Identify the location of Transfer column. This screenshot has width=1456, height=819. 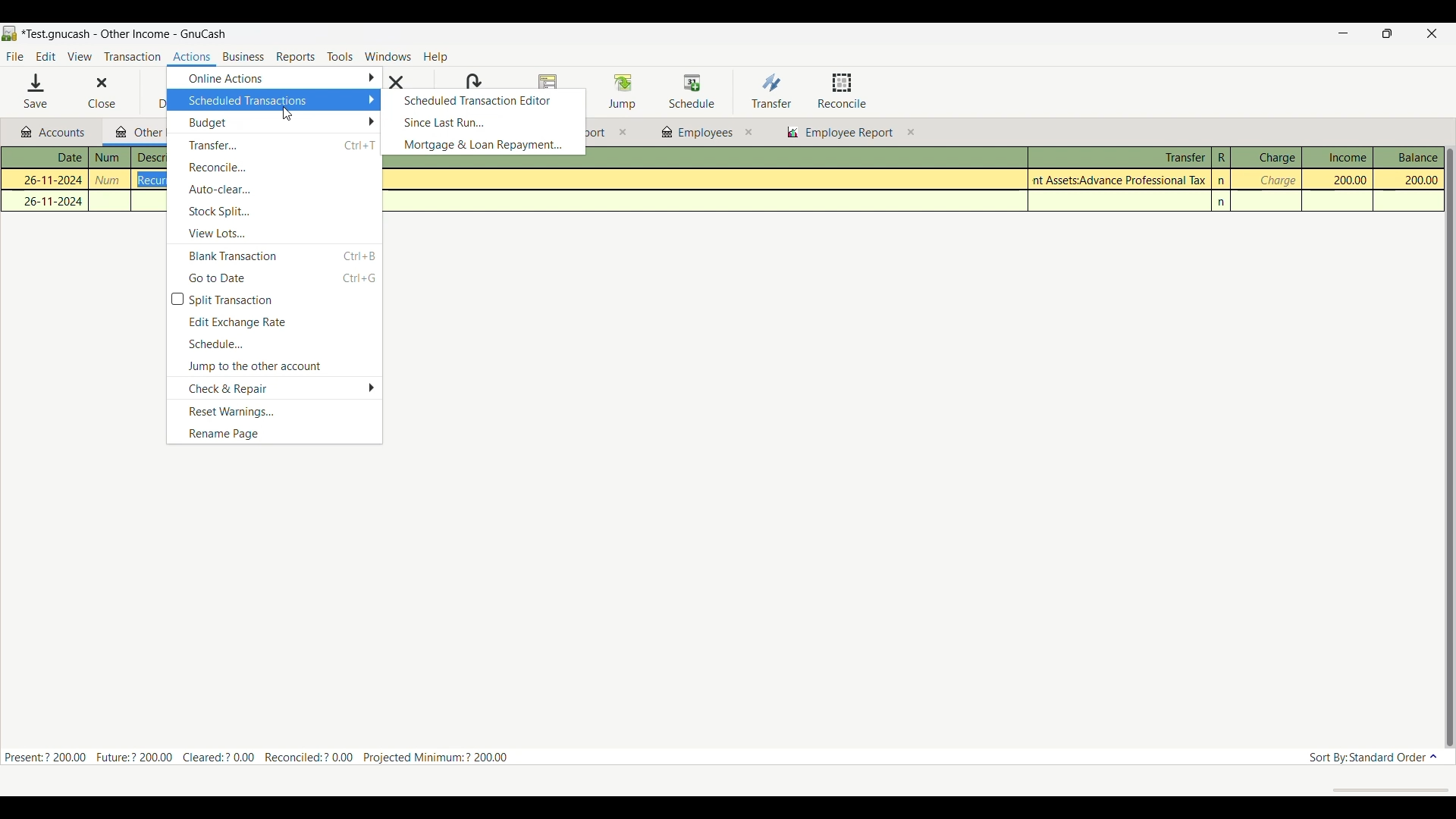
(1119, 155).